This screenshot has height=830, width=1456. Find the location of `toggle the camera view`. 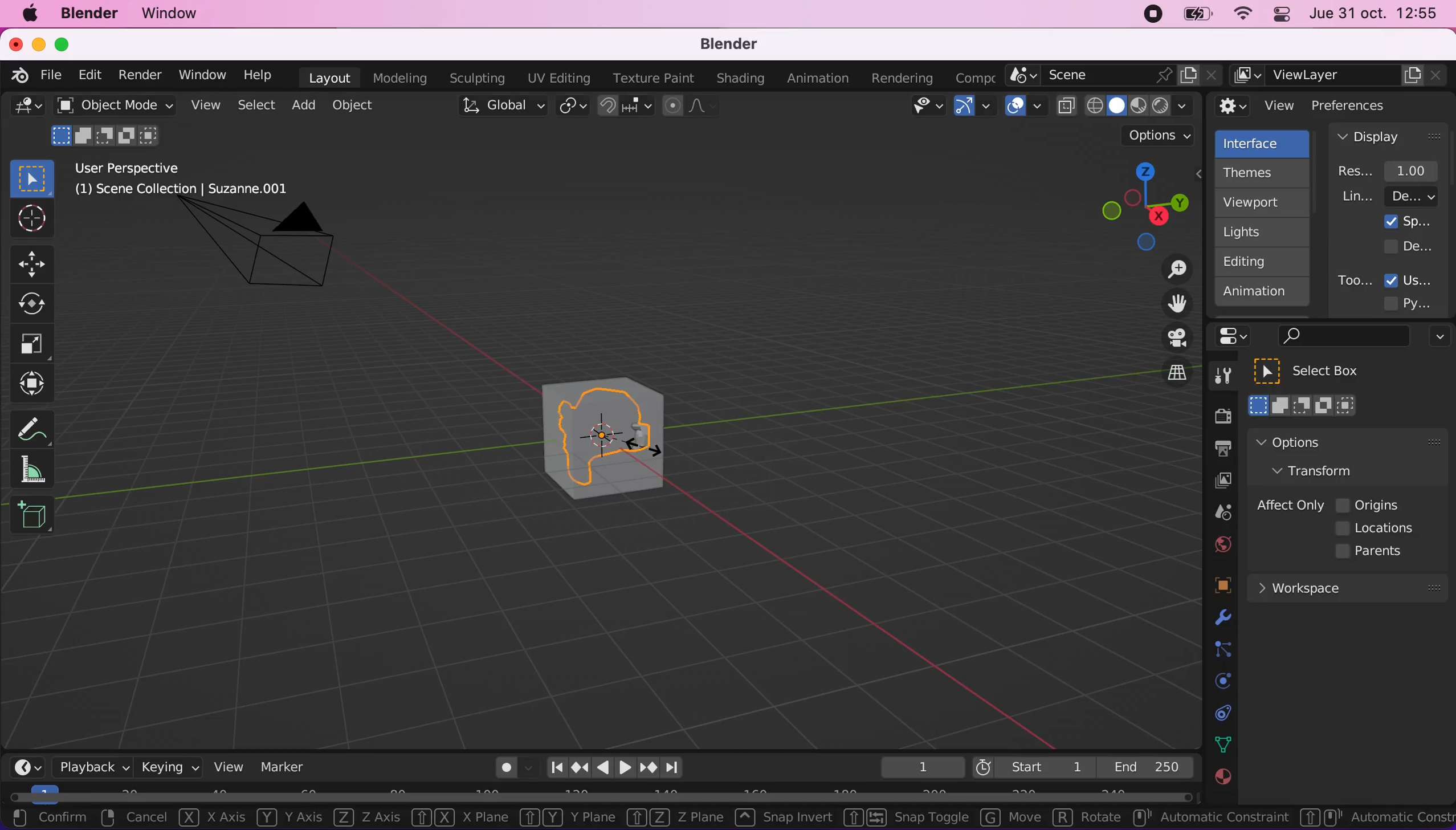

toggle the camera view is located at coordinates (1169, 339).